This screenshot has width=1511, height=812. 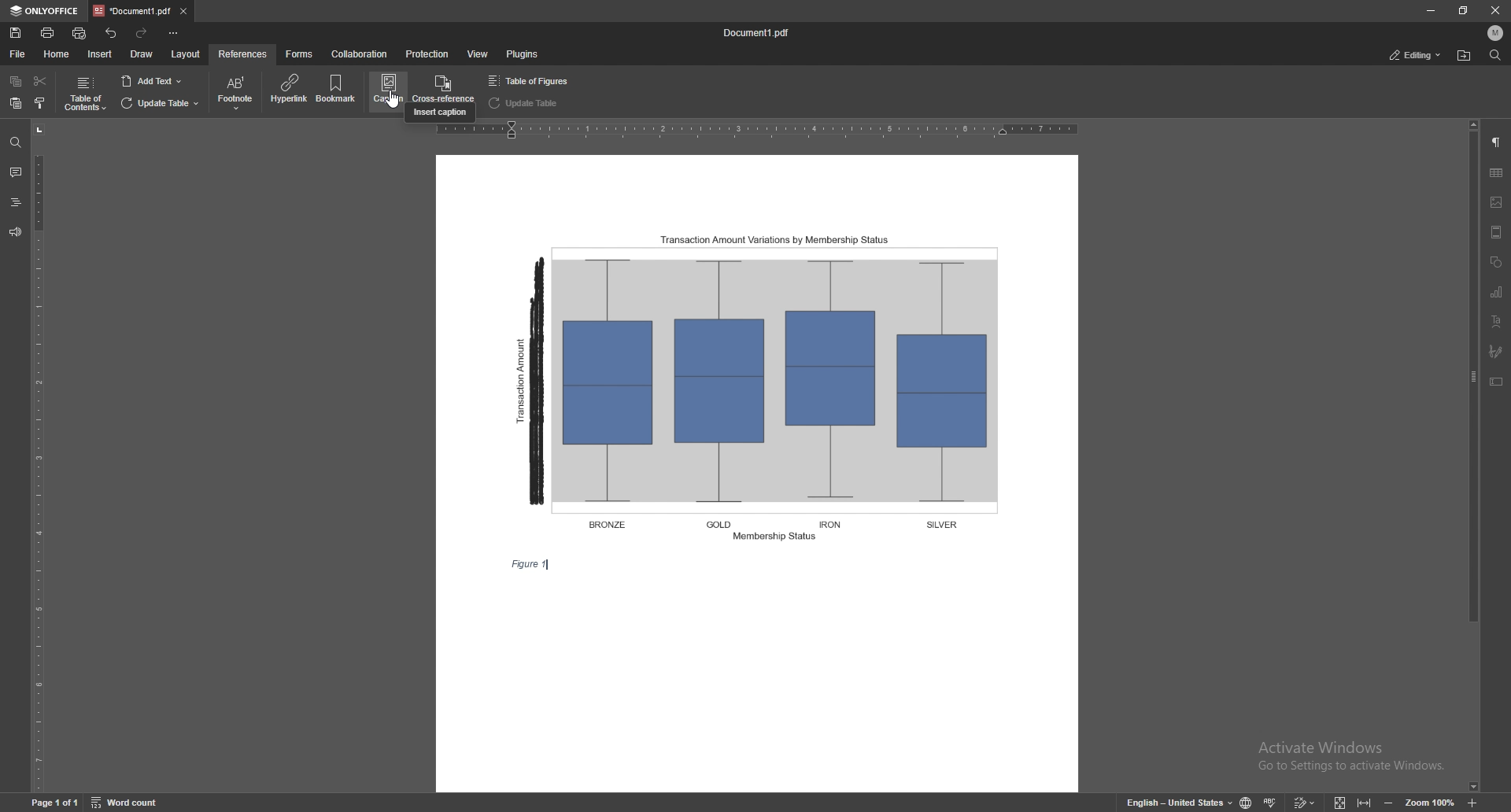 I want to click on cut, so click(x=40, y=82).